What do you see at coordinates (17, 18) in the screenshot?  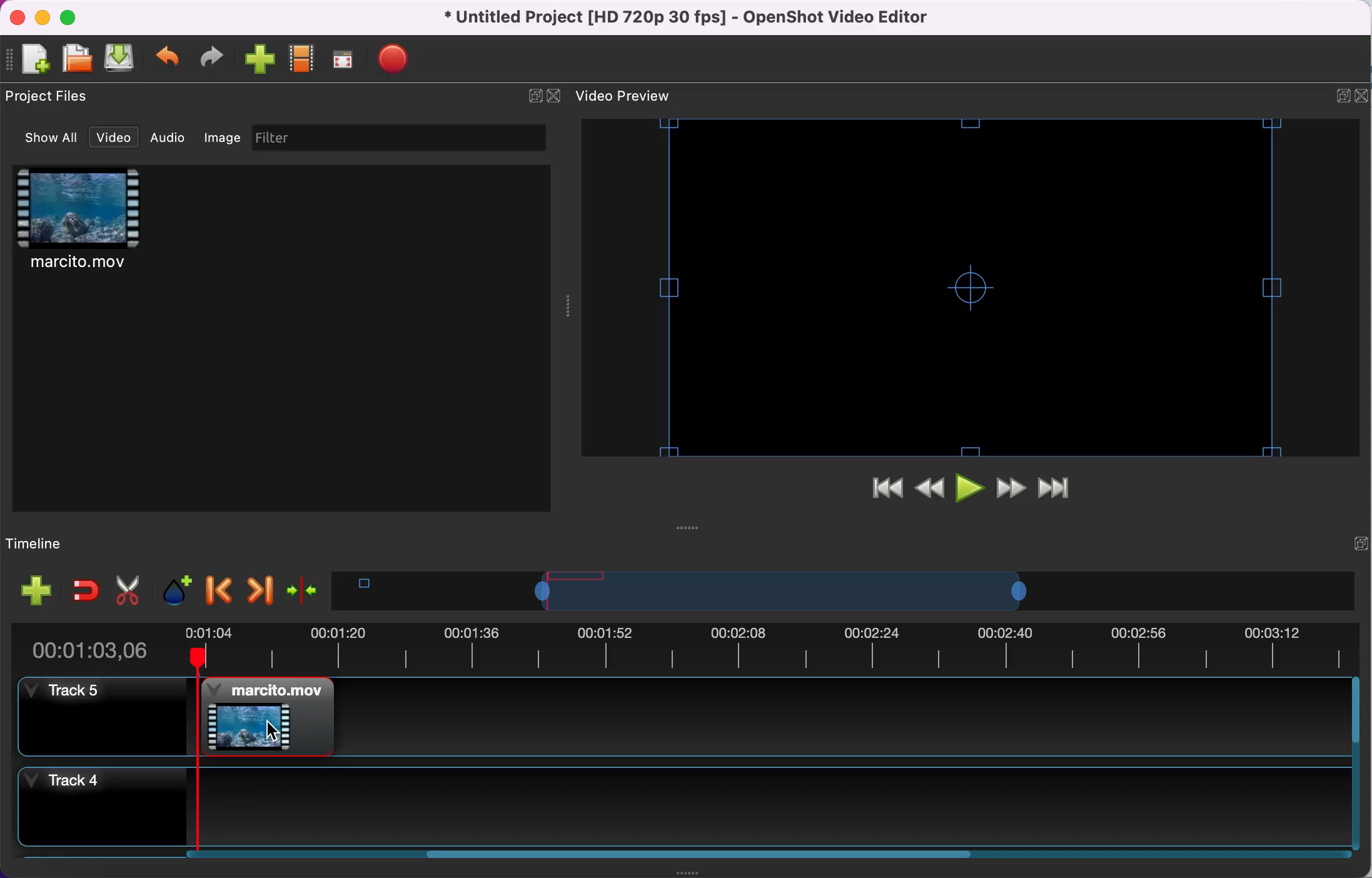 I see `close` at bounding box center [17, 18].